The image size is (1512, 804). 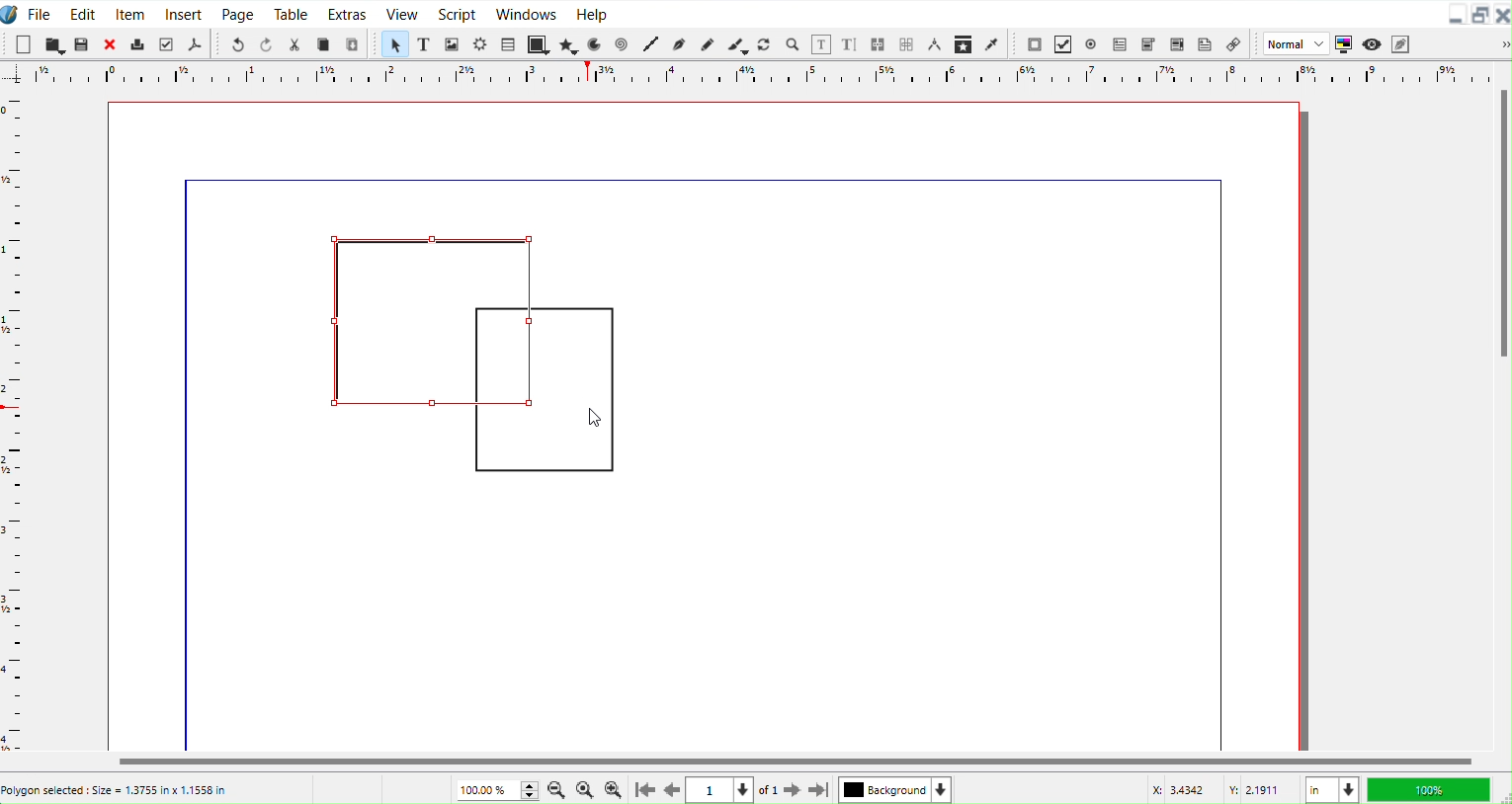 What do you see at coordinates (1233, 43) in the screenshot?
I see `Link Annotation` at bounding box center [1233, 43].